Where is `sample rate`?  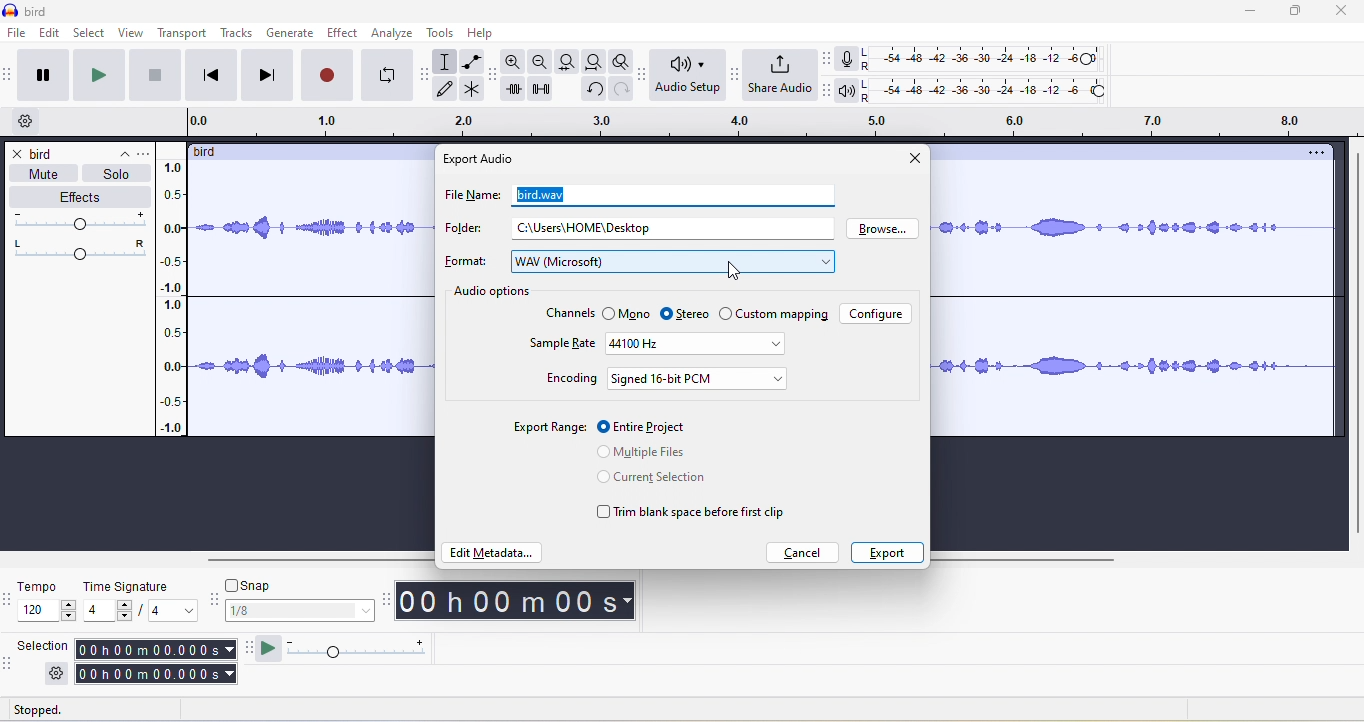 sample rate is located at coordinates (560, 345).